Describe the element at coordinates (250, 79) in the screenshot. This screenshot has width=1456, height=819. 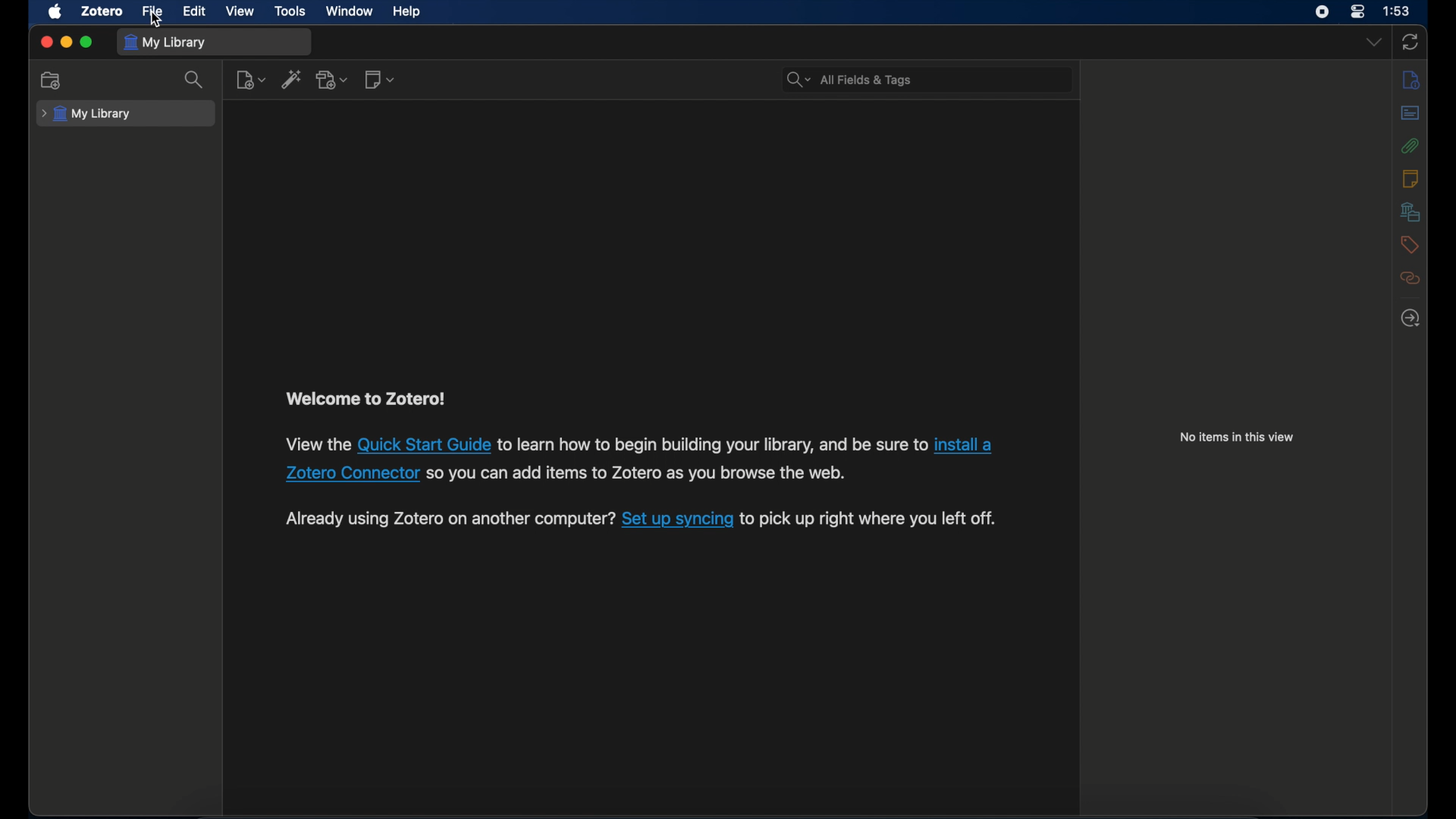
I see `new item` at that location.